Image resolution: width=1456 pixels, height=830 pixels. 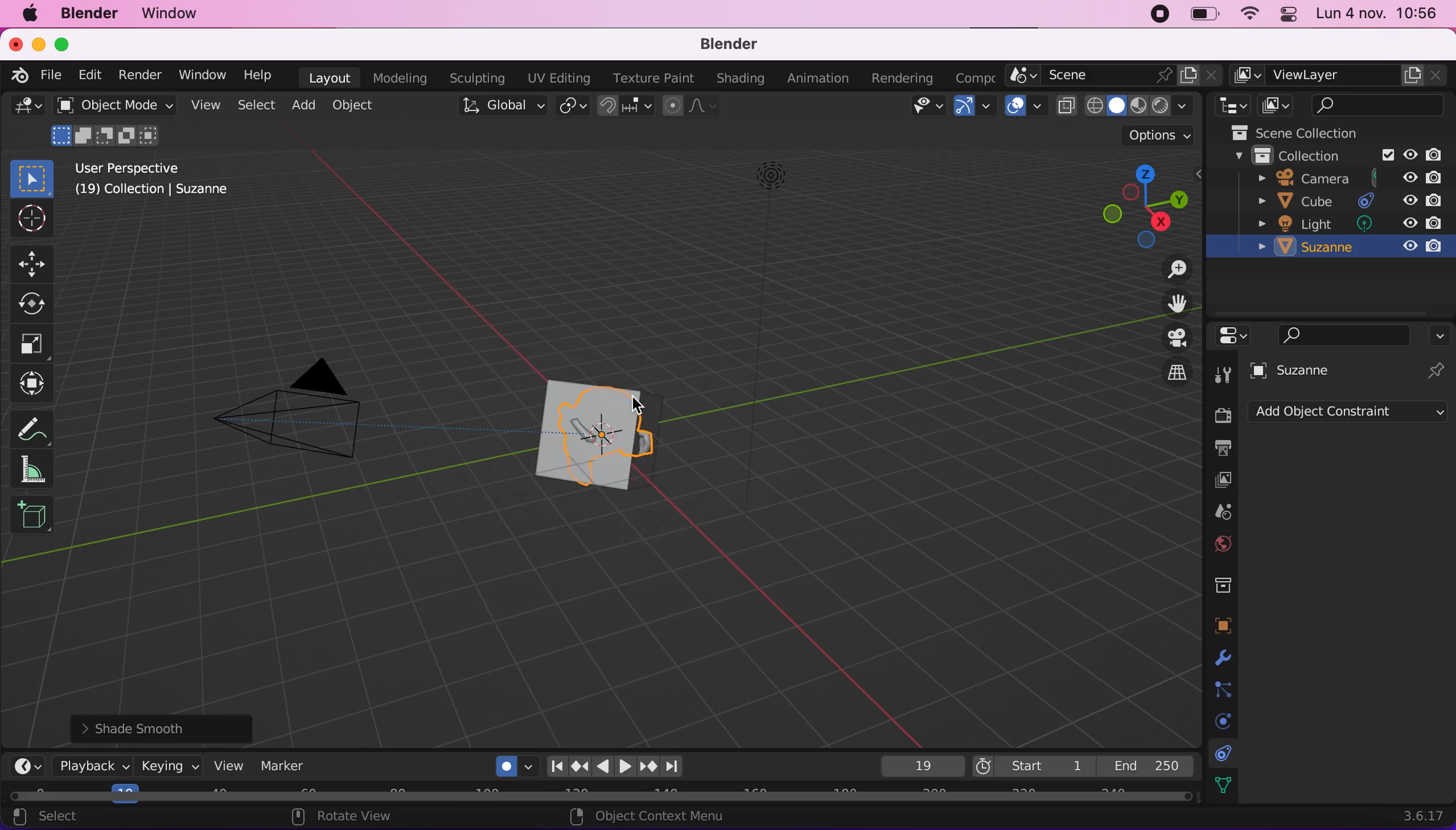 What do you see at coordinates (1067, 106) in the screenshot?
I see `toggle x ray` at bounding box center [1067, 106].